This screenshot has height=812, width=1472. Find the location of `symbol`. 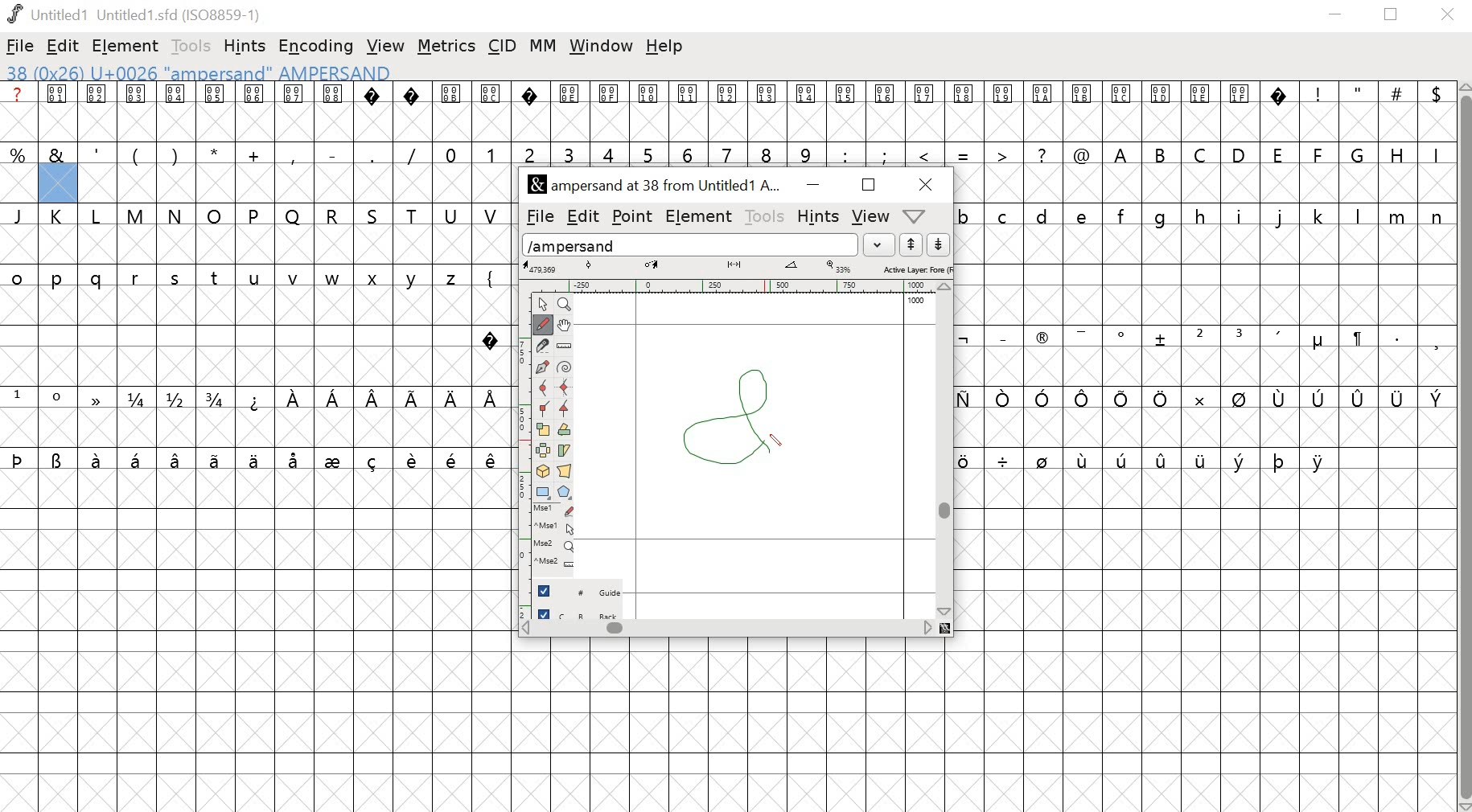

symbol is located at coordinates (1321, 461).